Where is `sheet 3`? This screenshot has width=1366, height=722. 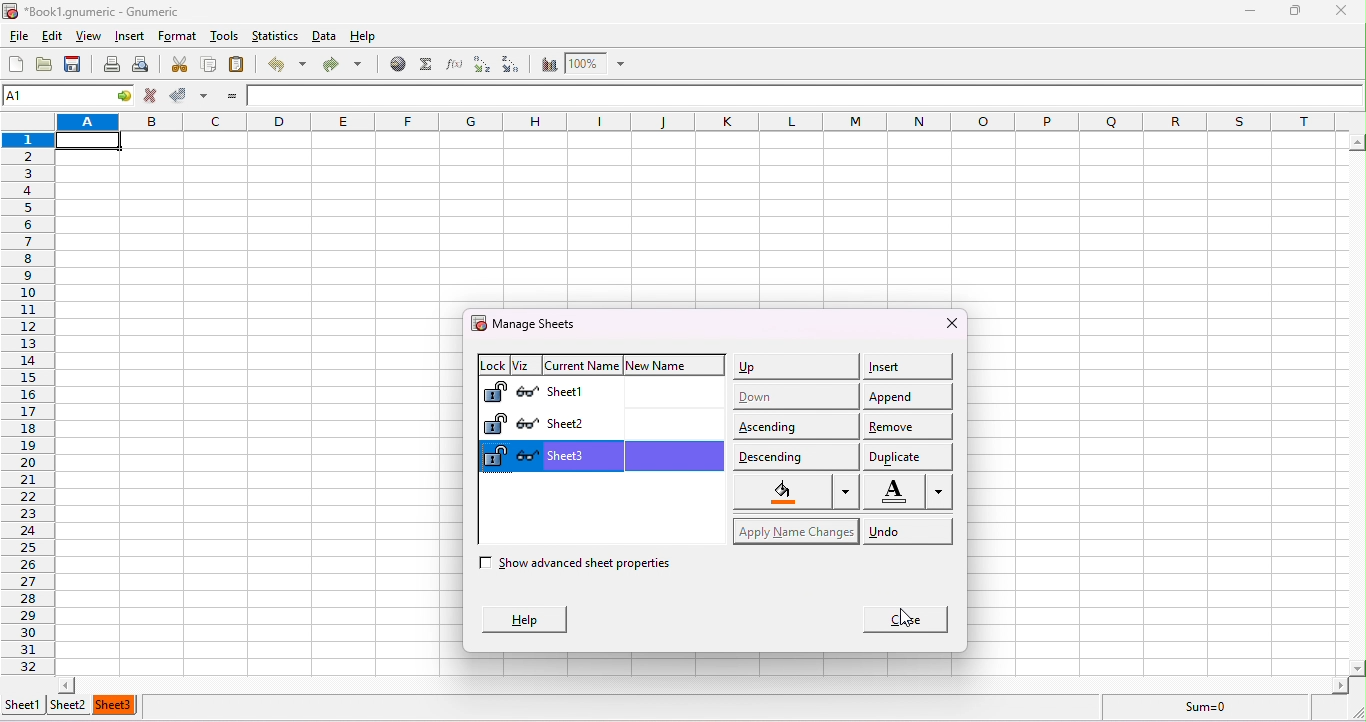
sheet 3 is located at coordinates (634, 455).